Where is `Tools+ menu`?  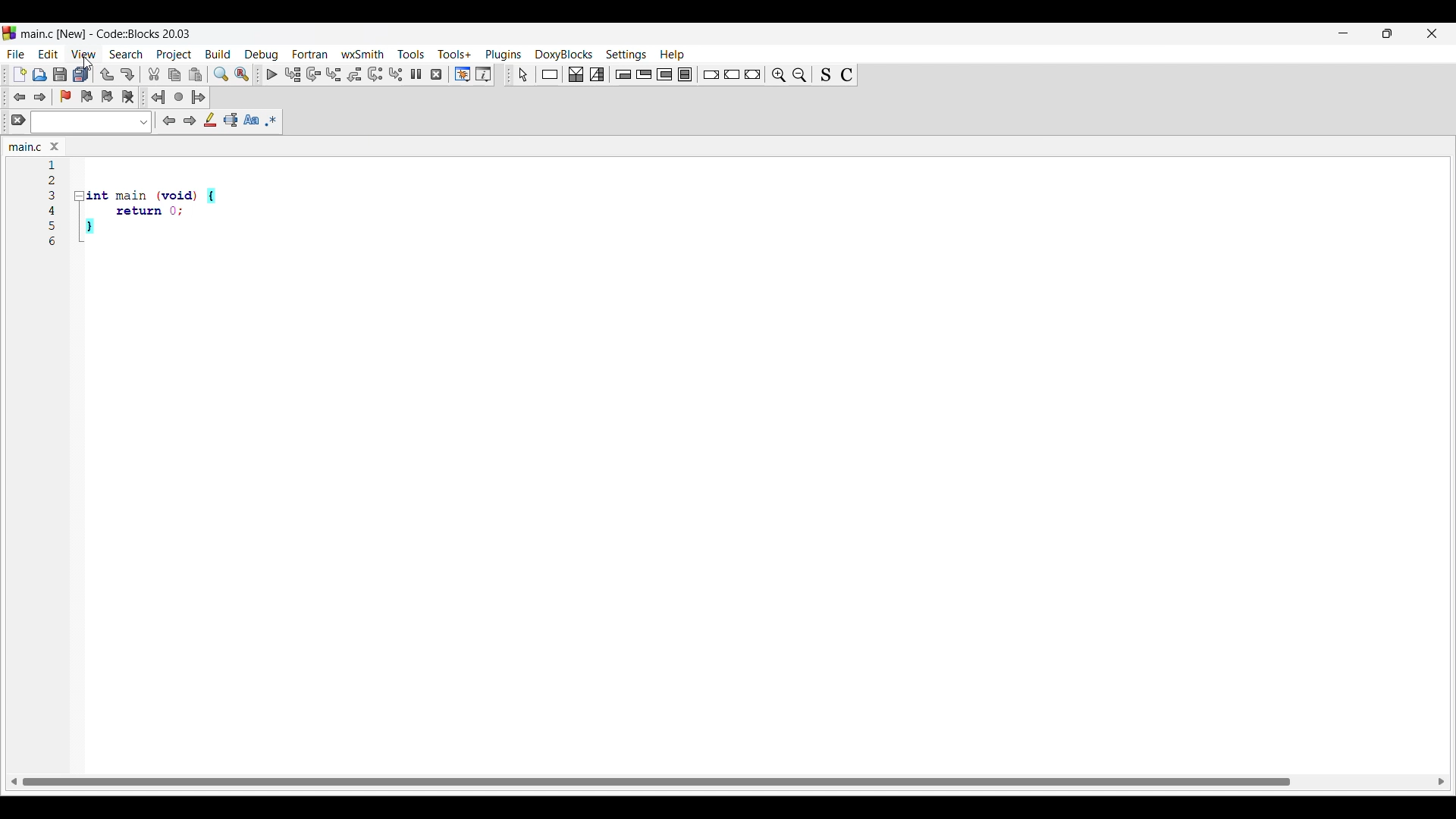 Tools+ menu is located at coordinates (454, 54).